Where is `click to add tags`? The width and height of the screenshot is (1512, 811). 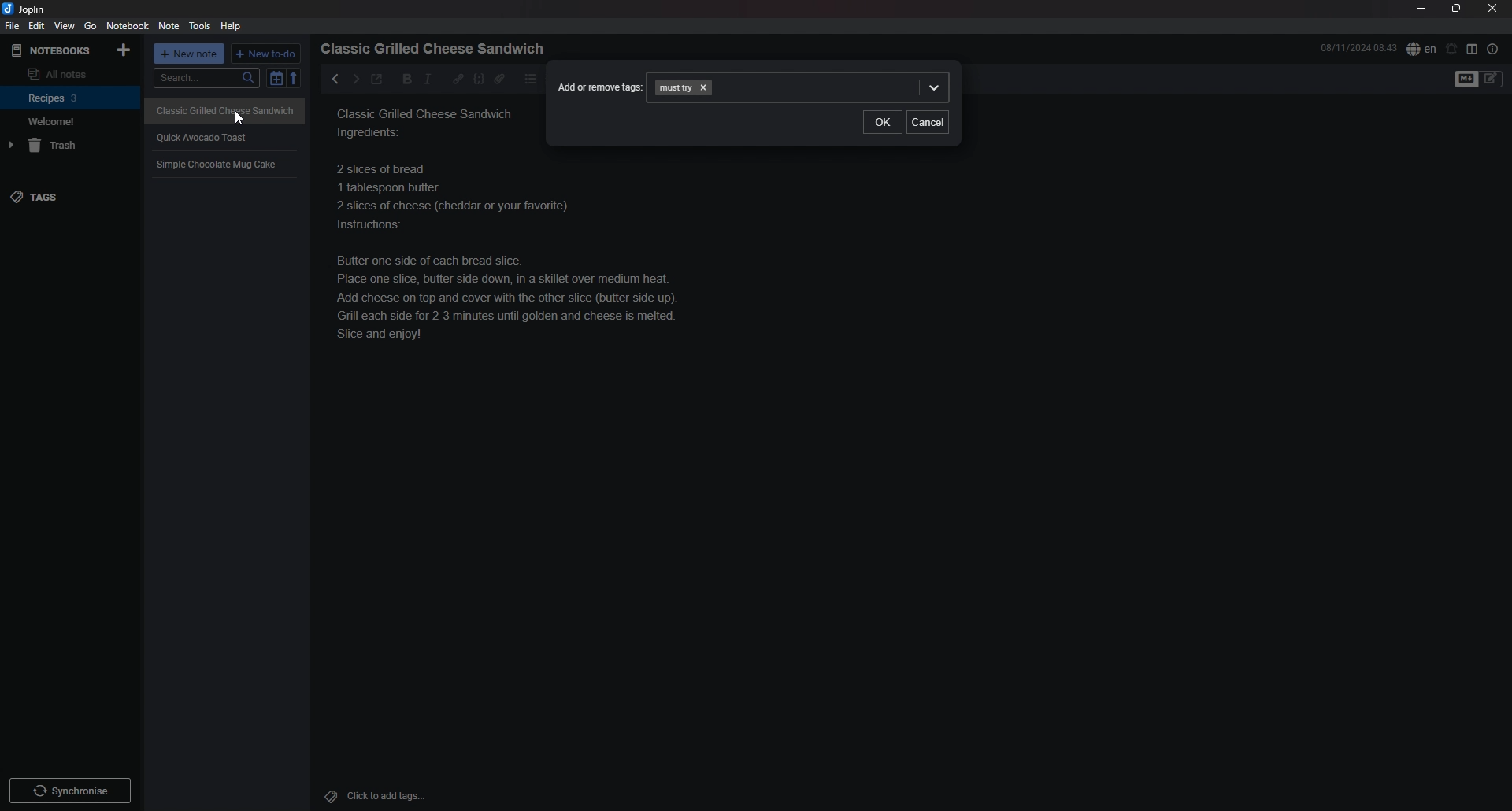
click to add tags is located at coordinates (396, 795).